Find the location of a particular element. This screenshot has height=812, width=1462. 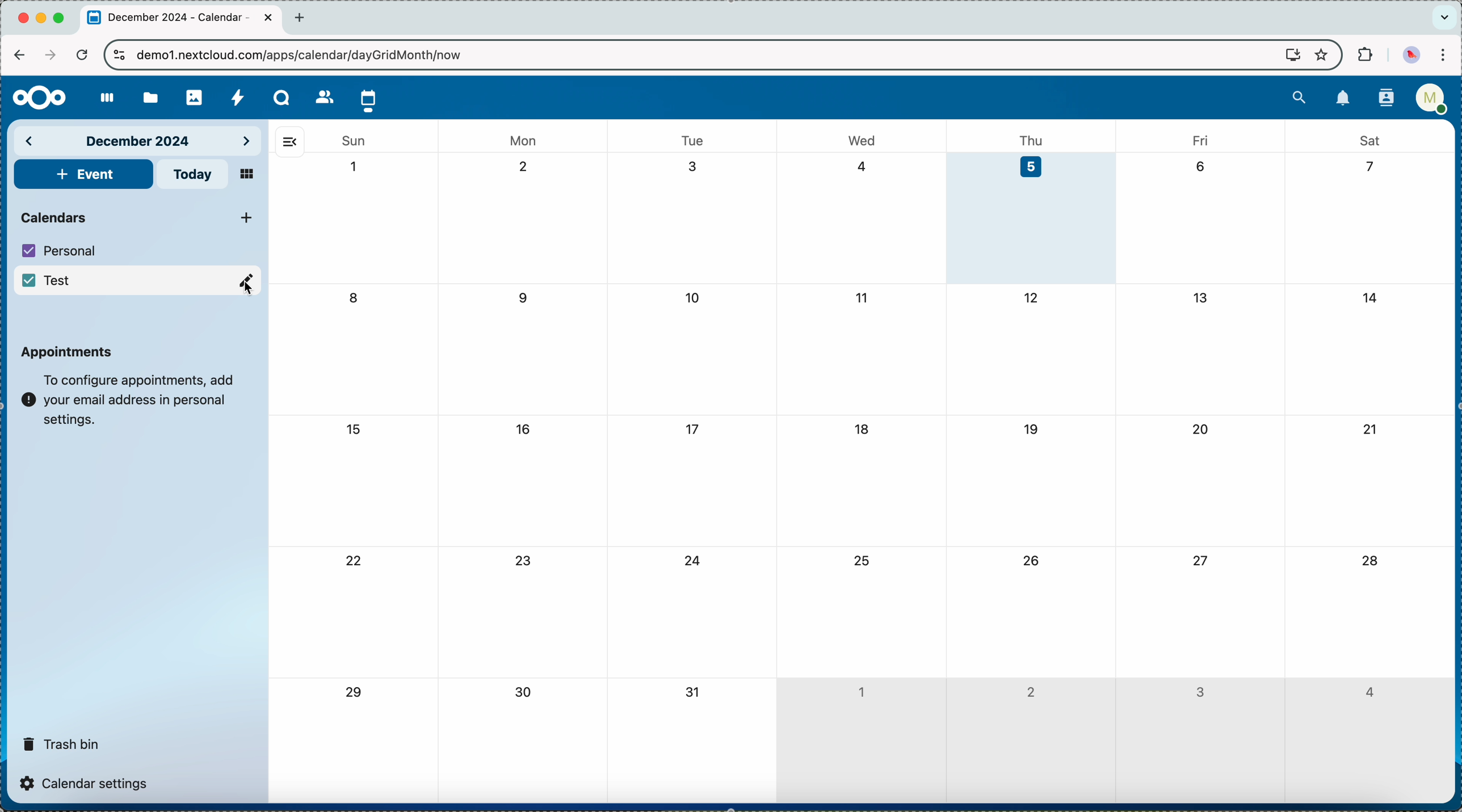

customize and control Google Chrome is located at coordinates (1447, 56).